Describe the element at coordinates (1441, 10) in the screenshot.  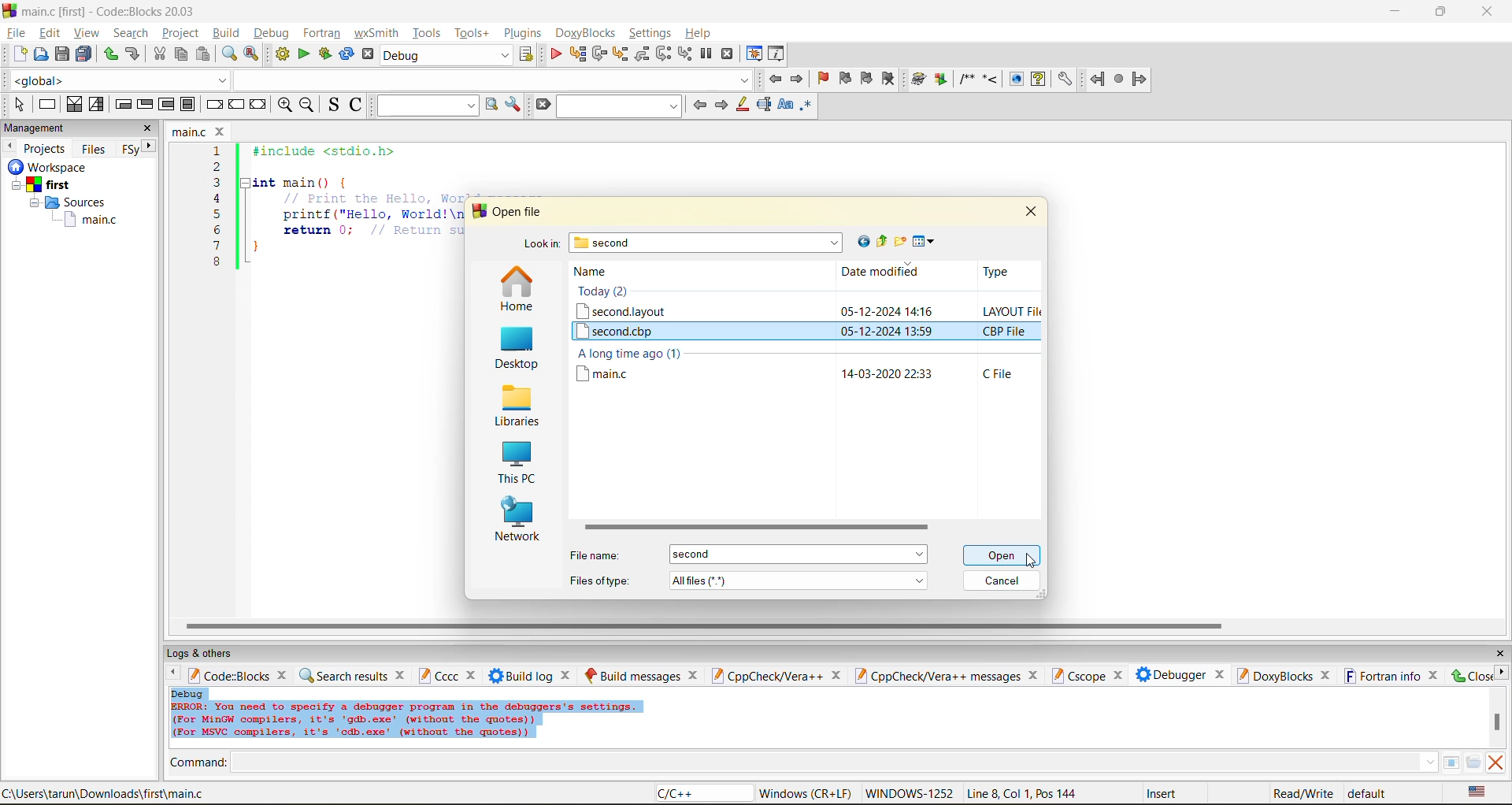
I see `resize` at that location.